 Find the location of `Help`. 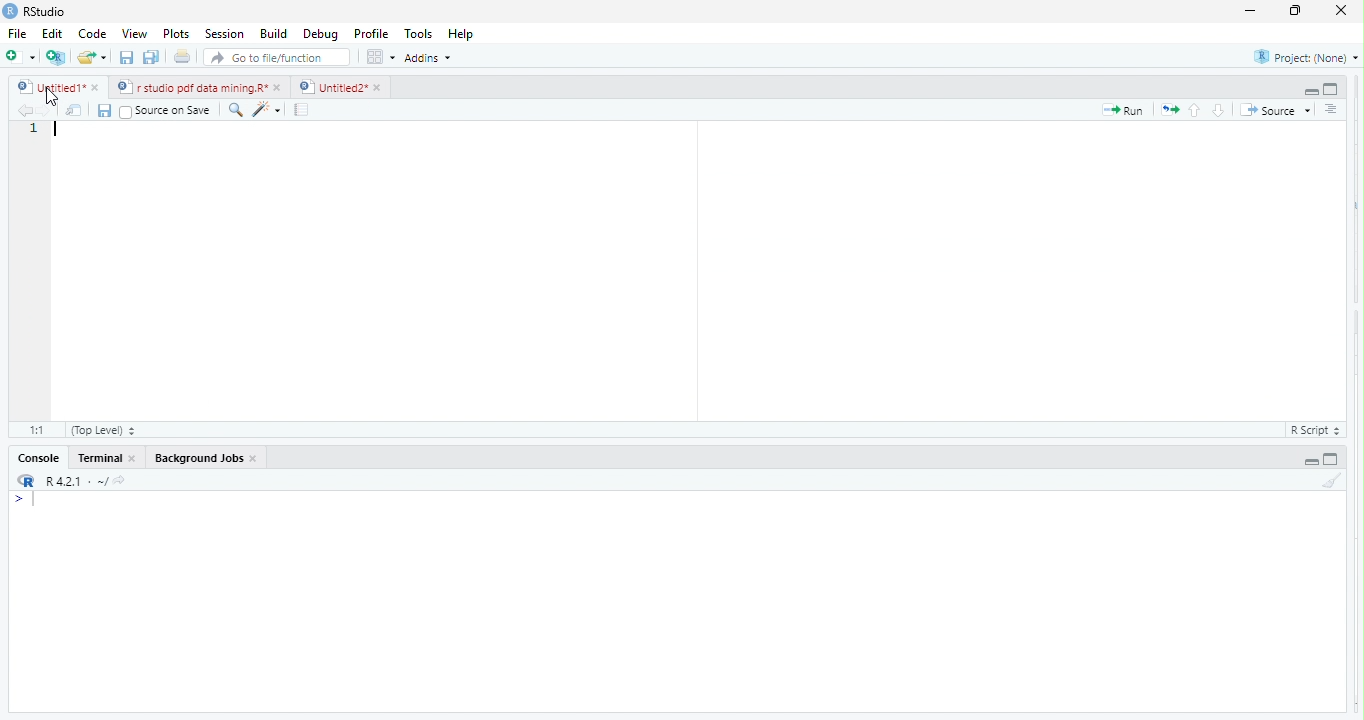

Help is located at coordinates (462, 34).